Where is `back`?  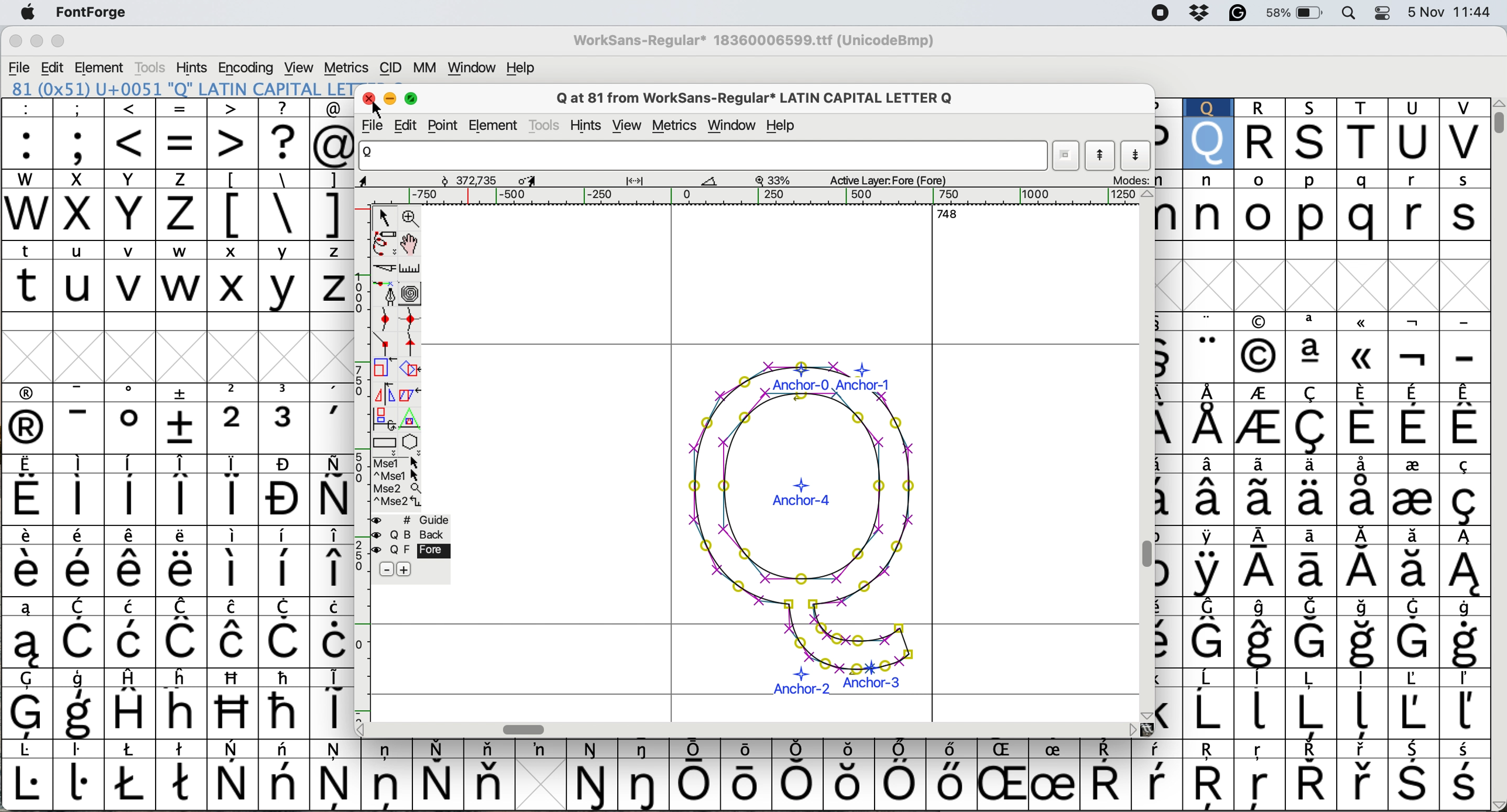 back is located at coordinates (412, 535).